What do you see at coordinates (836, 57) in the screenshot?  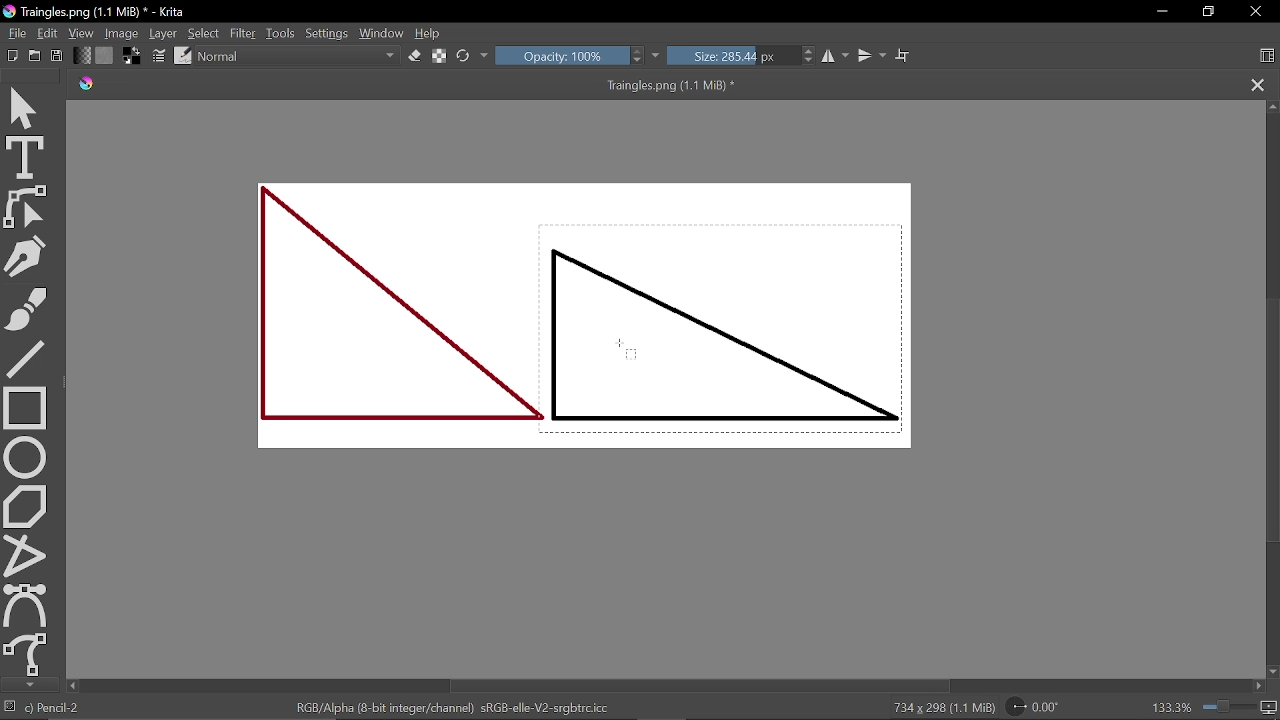 I see `Horizontal mirror tool` at bounding box center [836, 57].